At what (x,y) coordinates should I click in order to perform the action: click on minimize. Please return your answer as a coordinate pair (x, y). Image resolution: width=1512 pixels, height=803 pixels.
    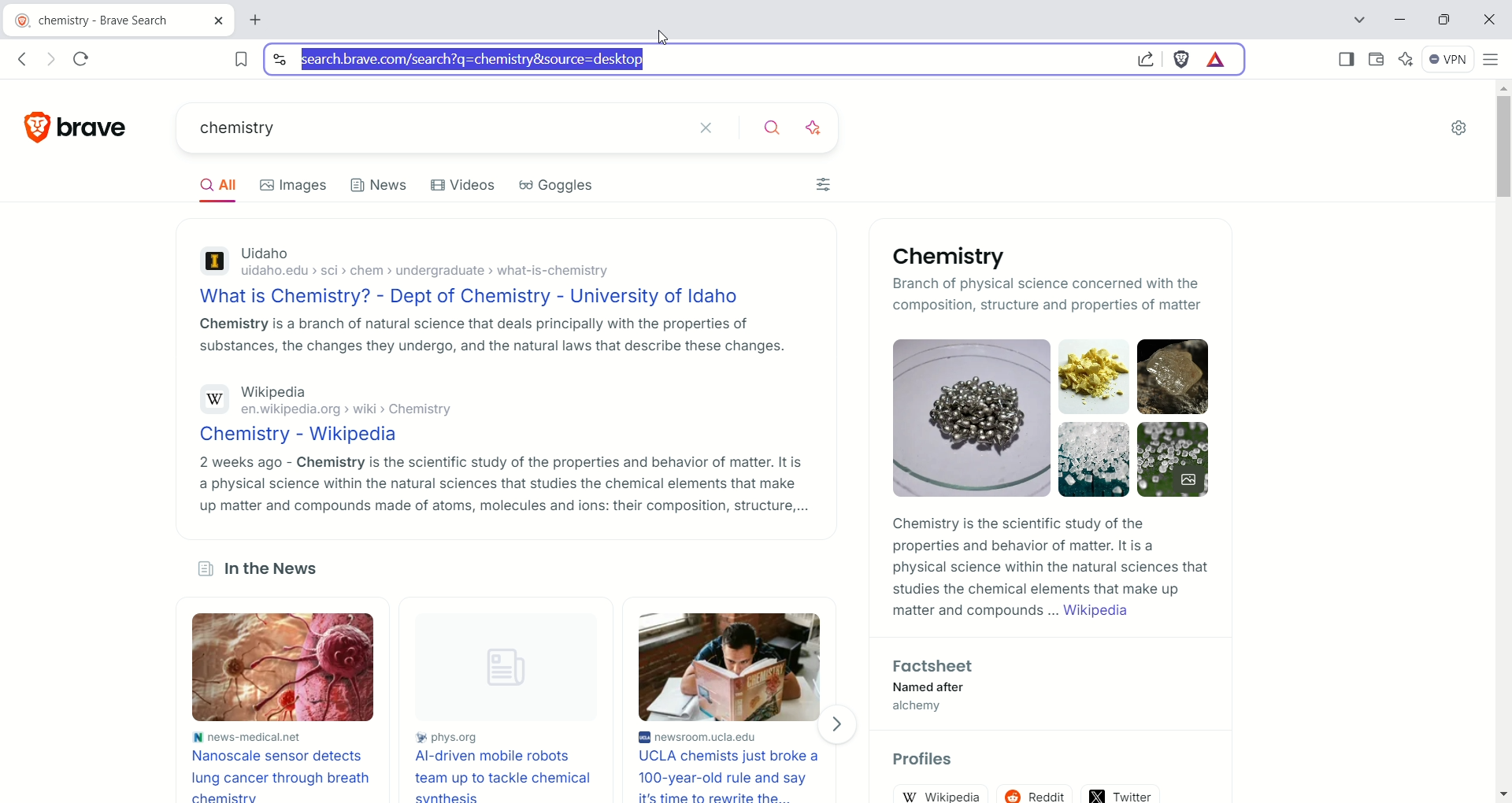
    Looking at the image, I should click on (1400, 18).